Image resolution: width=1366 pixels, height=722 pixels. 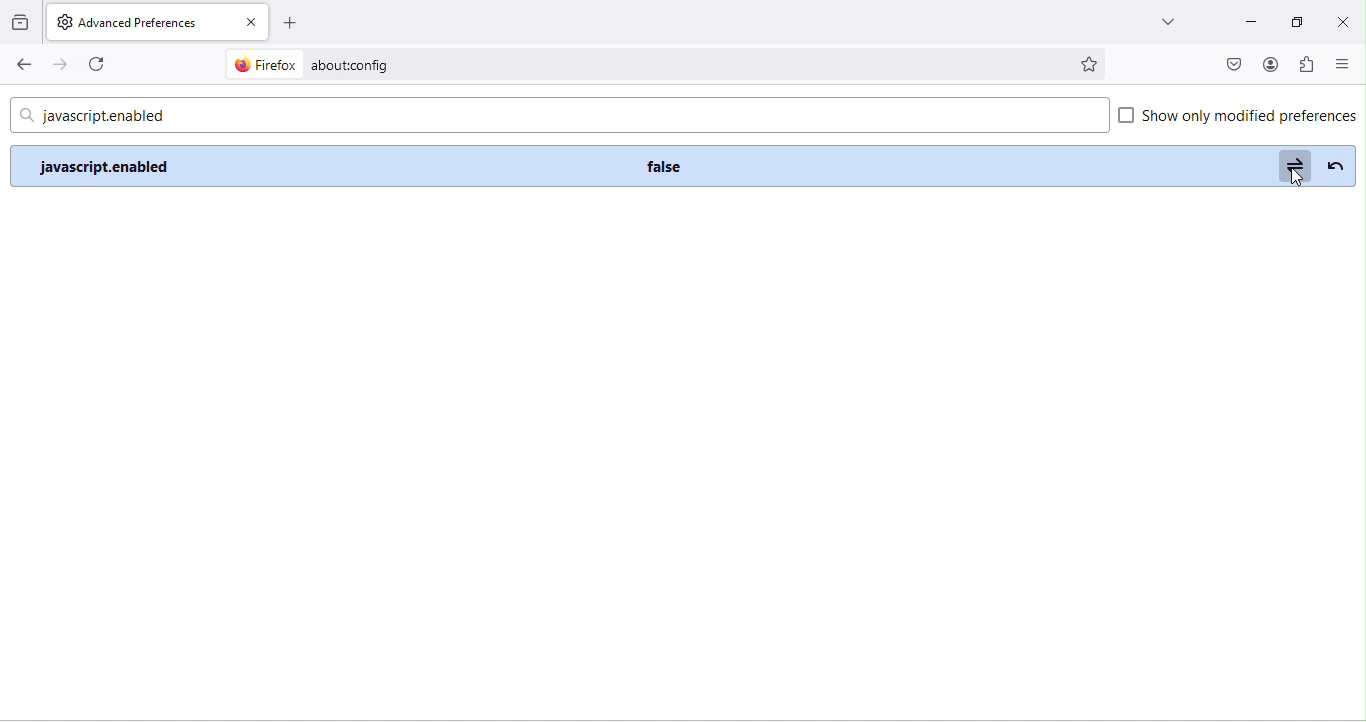 What do you see at coordinates (252, 22) in the screenshot?
I see `close tab` at bounding box center [252, 22].